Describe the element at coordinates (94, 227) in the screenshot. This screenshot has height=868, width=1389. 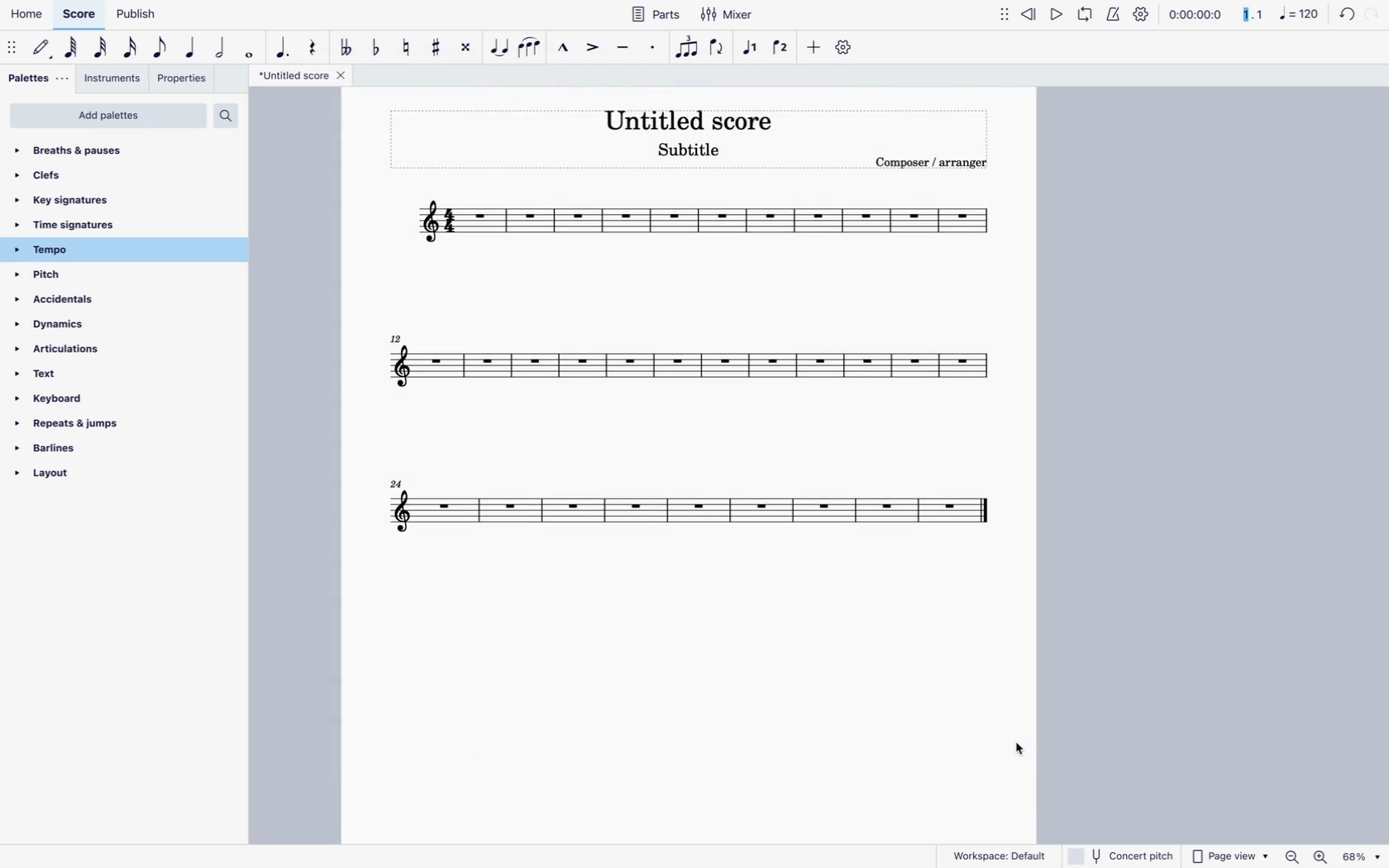
I see `time signatures` at that location.